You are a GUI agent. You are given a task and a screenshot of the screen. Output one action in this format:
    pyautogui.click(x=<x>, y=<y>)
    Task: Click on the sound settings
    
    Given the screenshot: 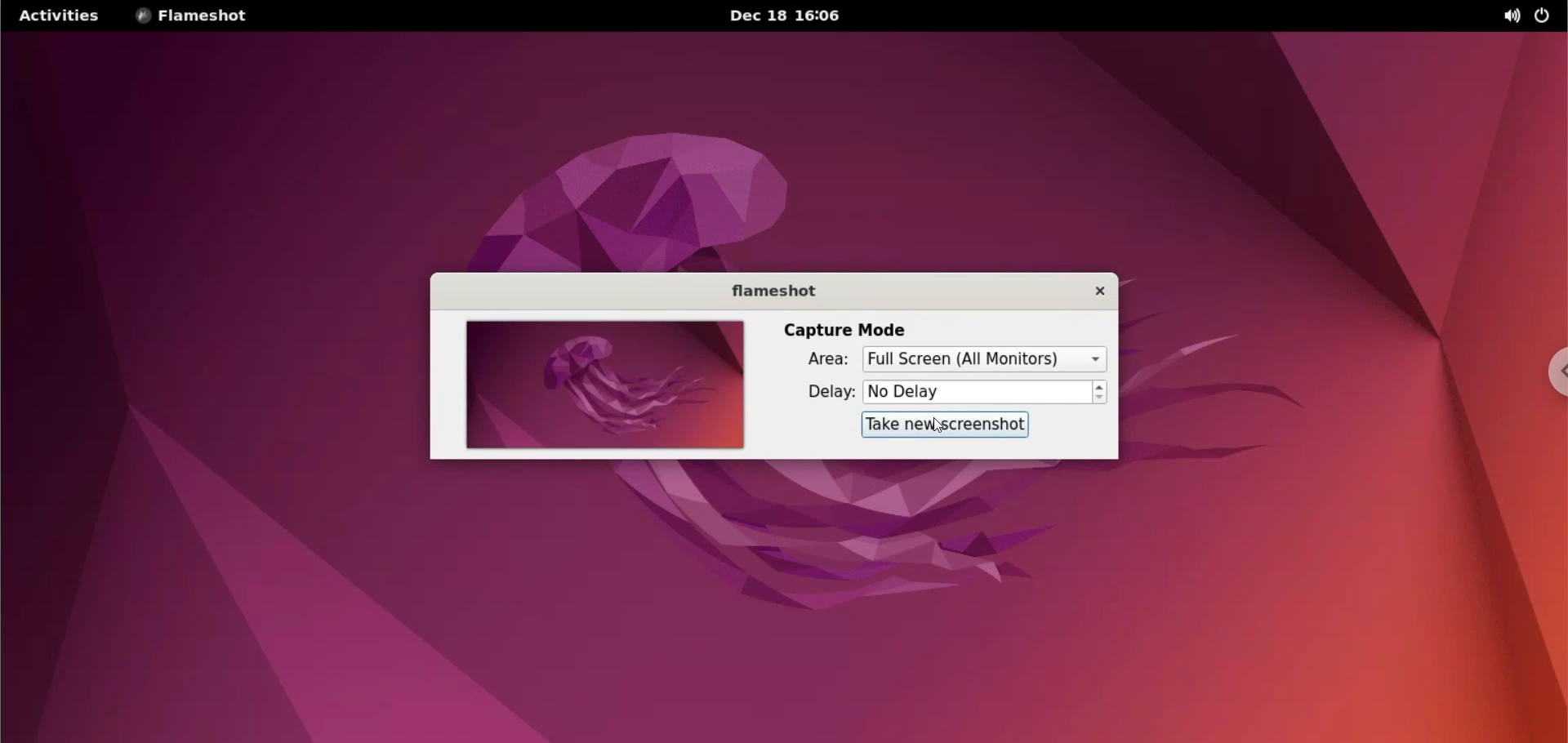 What is the action you would take?
    pyautogui.click(x=1505, y=16)
    